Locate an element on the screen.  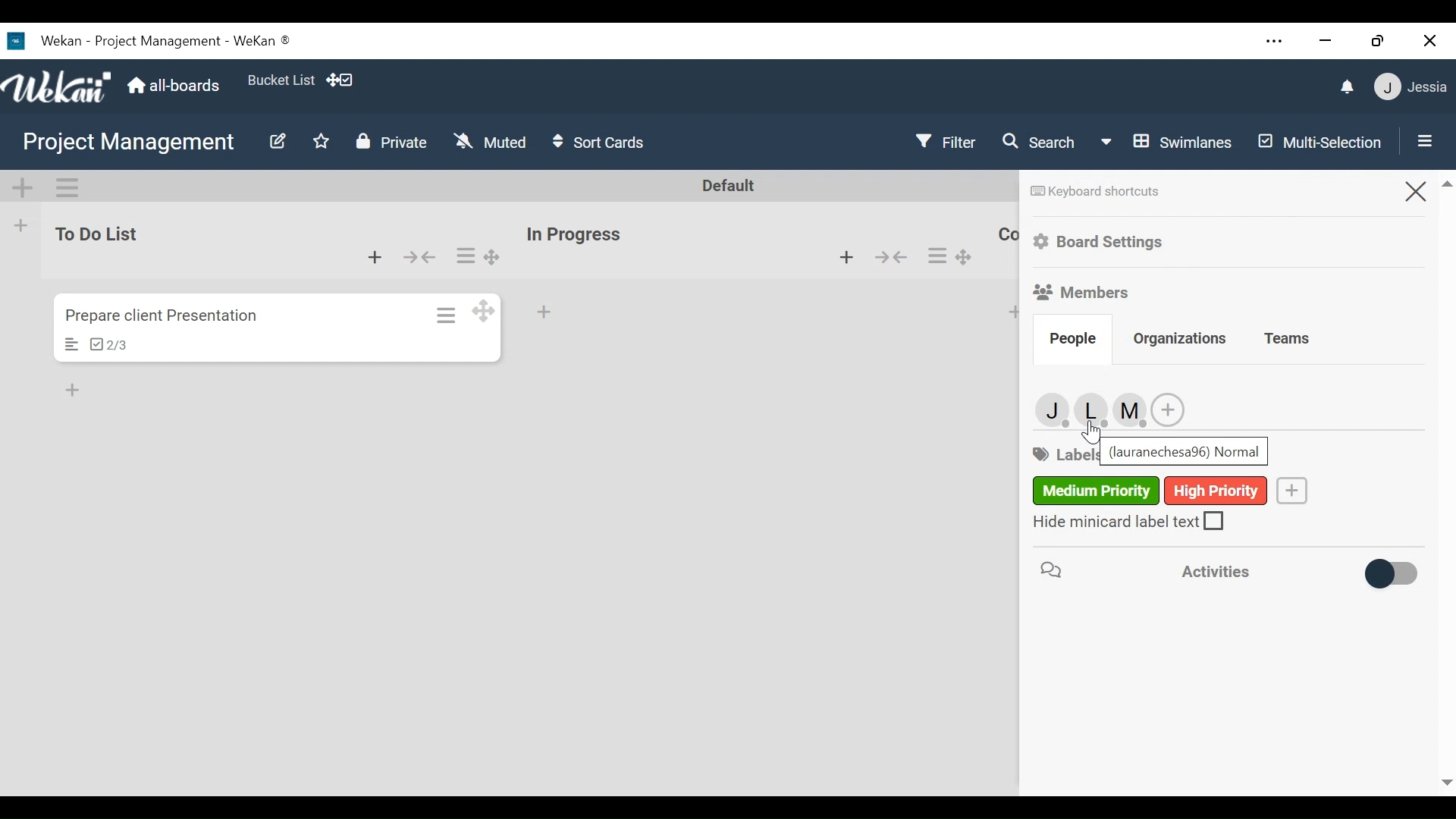
Filter is located at coordinates (944, 143).